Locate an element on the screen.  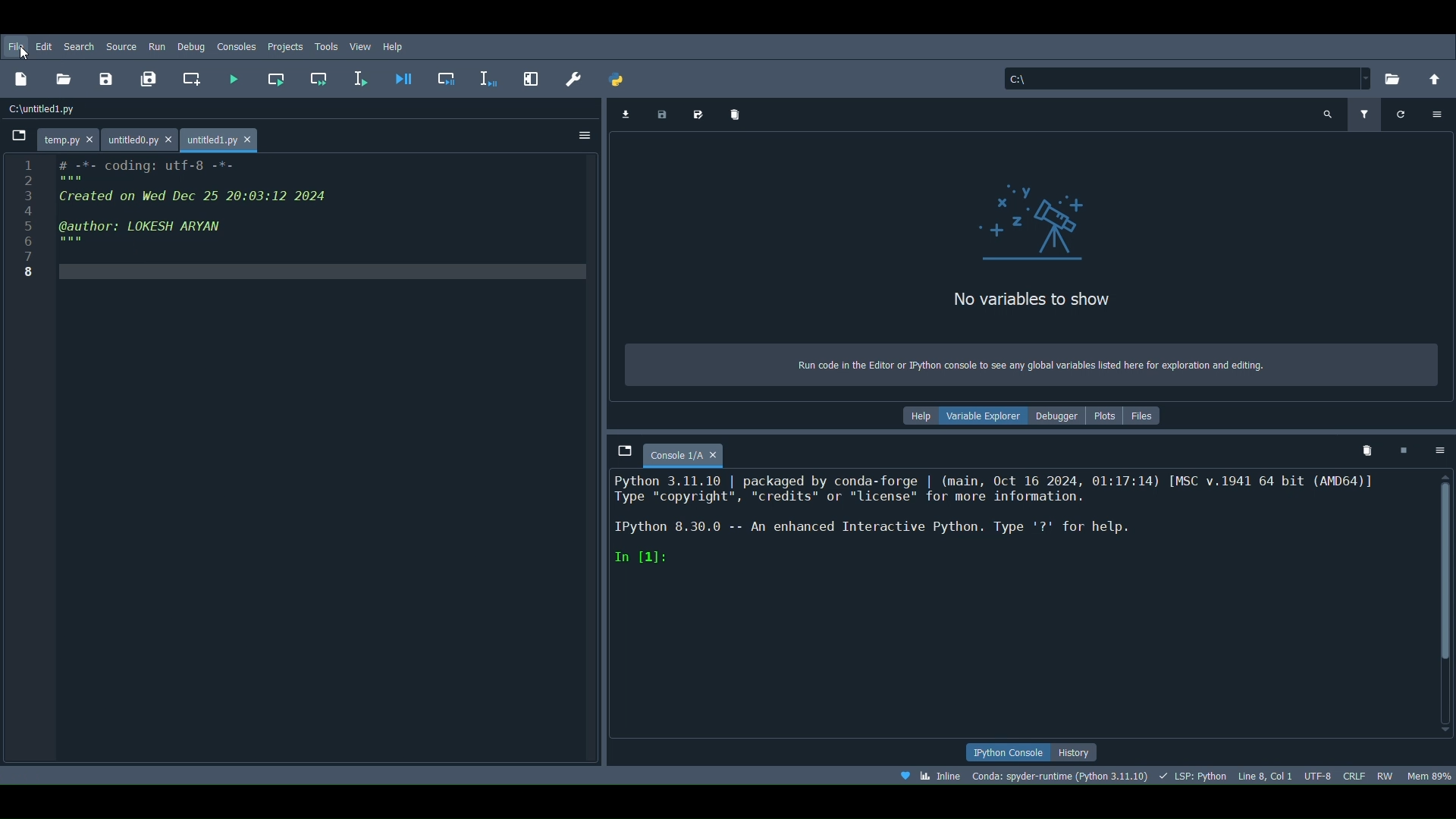
C: (file path) is located at coordinates (1186, 78).